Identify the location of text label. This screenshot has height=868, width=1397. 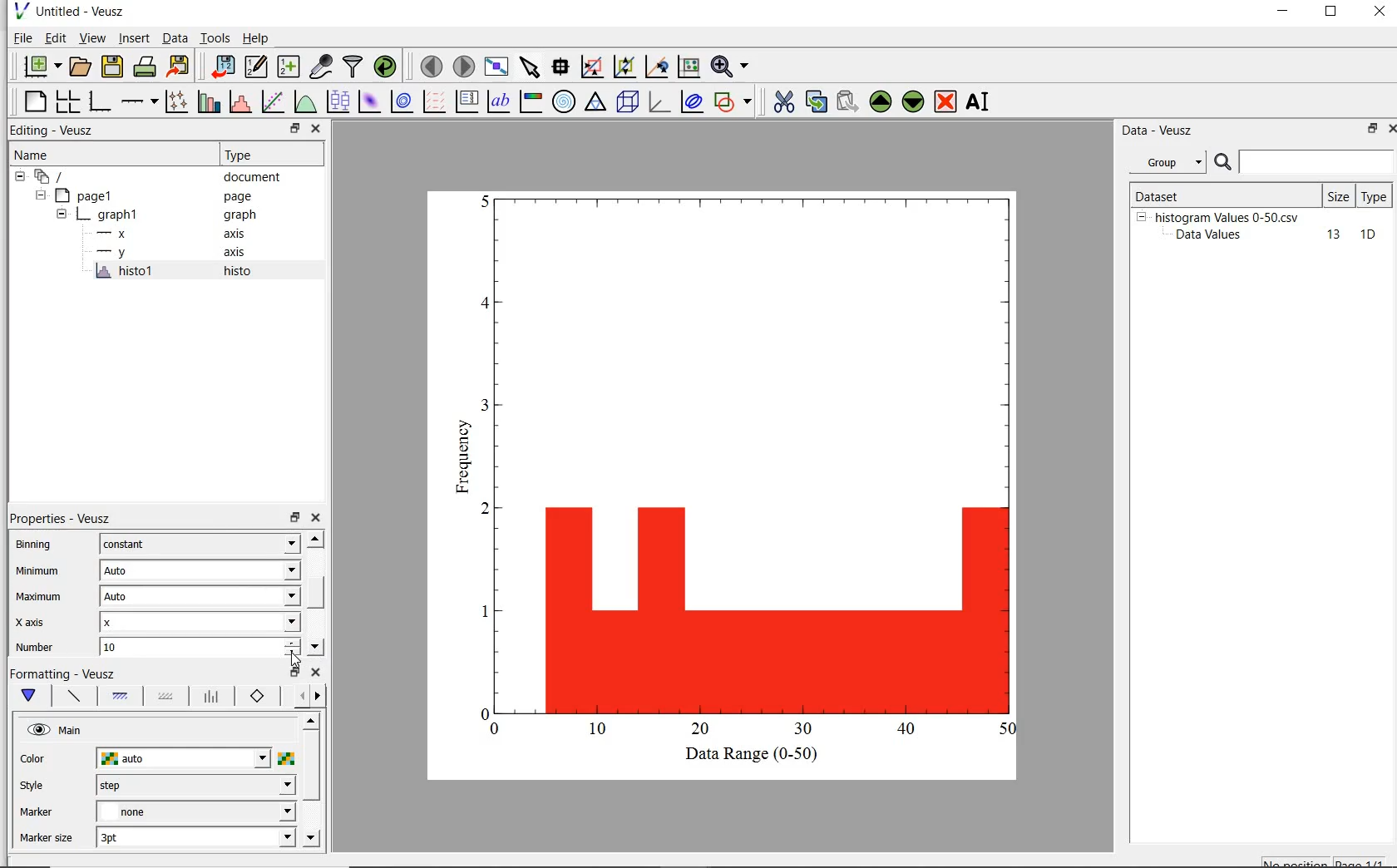
(501, 100).